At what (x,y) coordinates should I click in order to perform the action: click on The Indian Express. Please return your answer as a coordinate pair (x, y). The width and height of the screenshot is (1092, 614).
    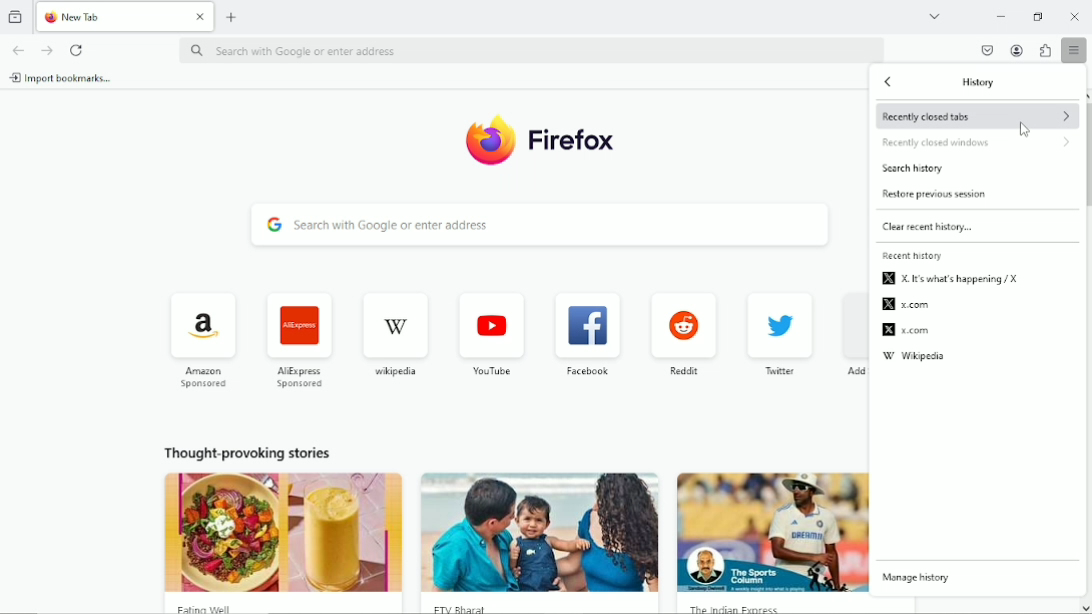
    Looking at the image, I should click on (771, 605).